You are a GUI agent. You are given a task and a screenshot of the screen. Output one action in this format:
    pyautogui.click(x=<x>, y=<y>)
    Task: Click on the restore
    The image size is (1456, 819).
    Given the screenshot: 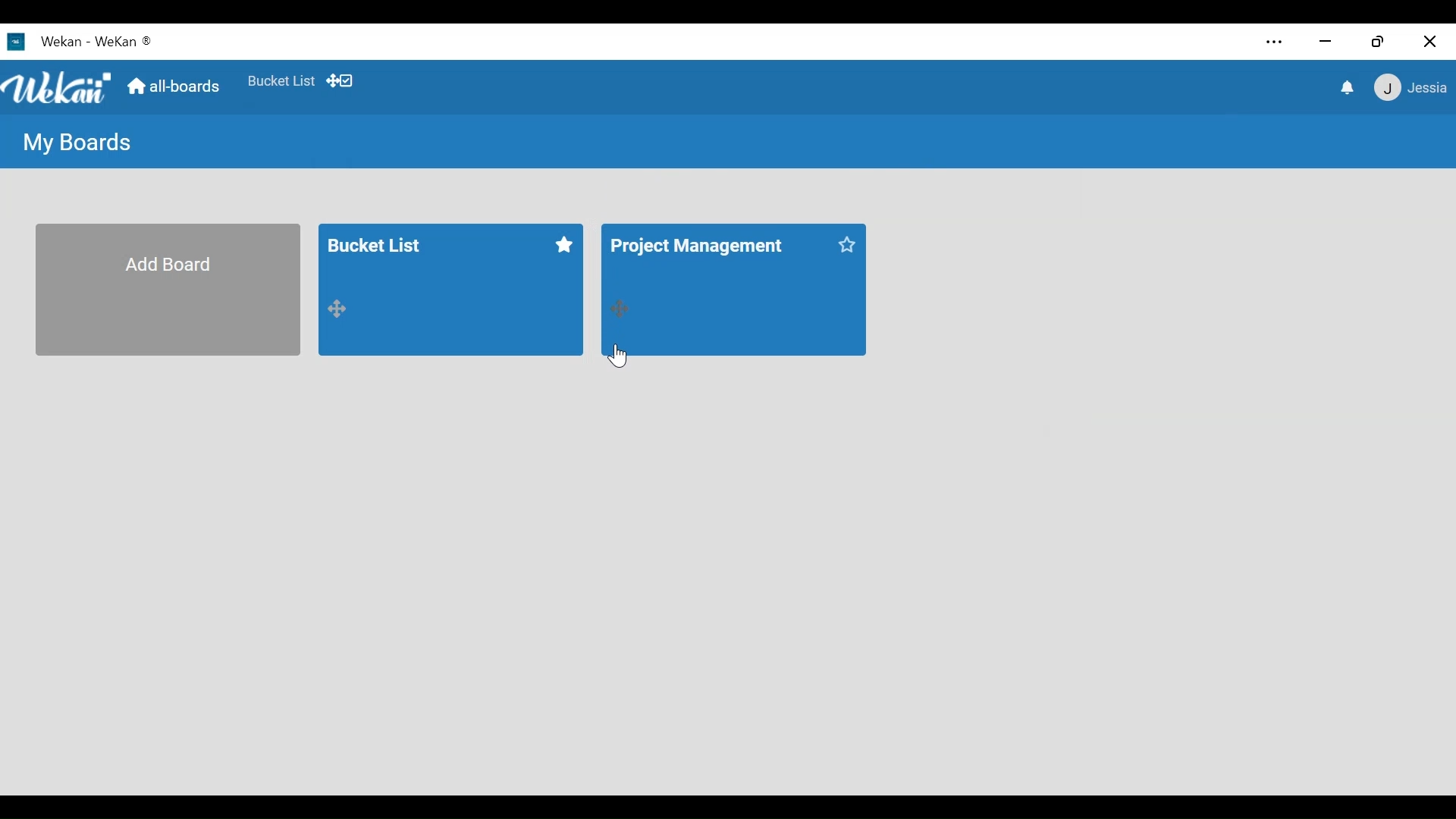 What is the action you would take?
    pyautogui.click(x=1378, y=41)
    